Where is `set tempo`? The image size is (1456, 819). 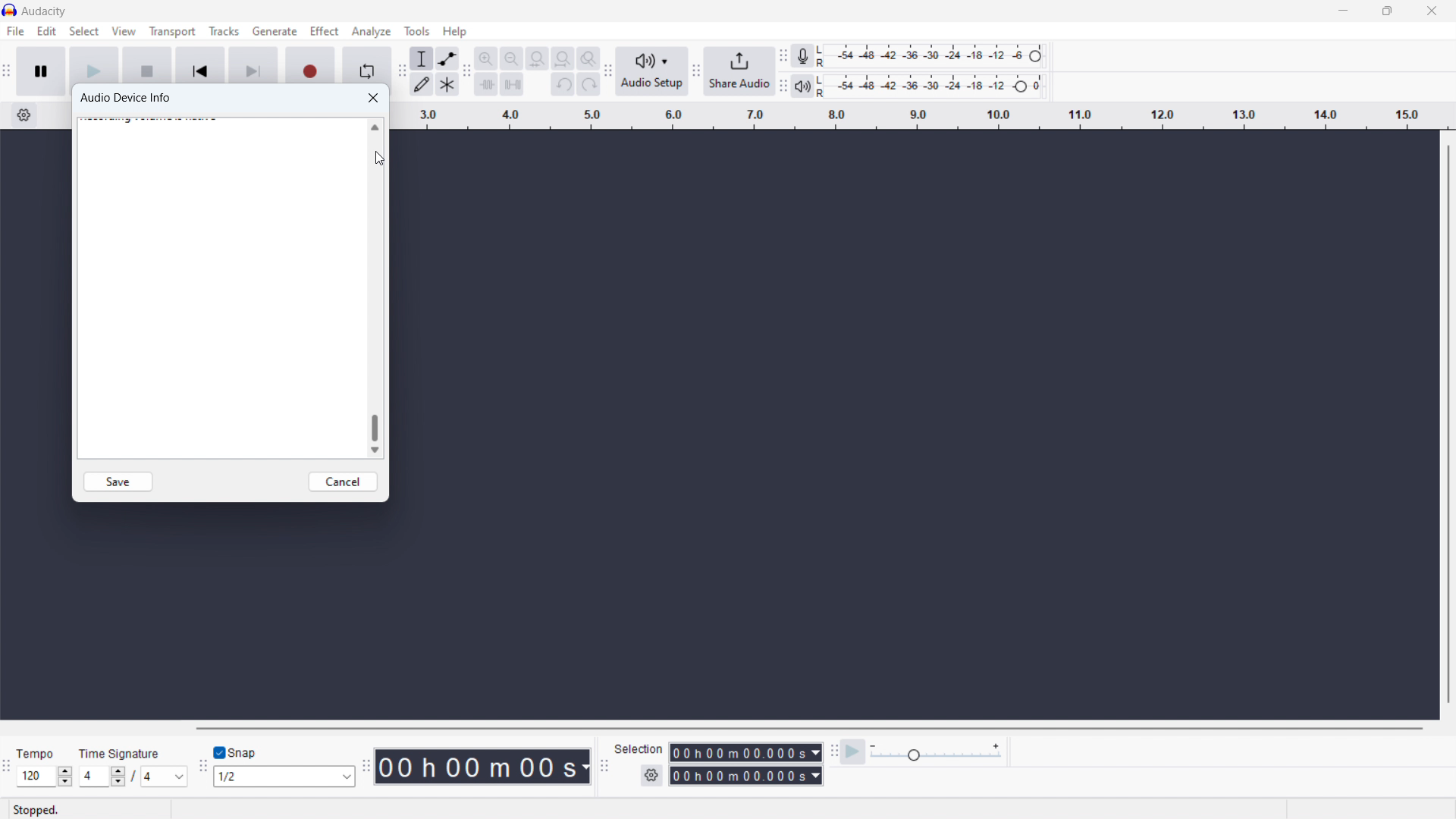 set tempo is located at coordinates (45, 777).